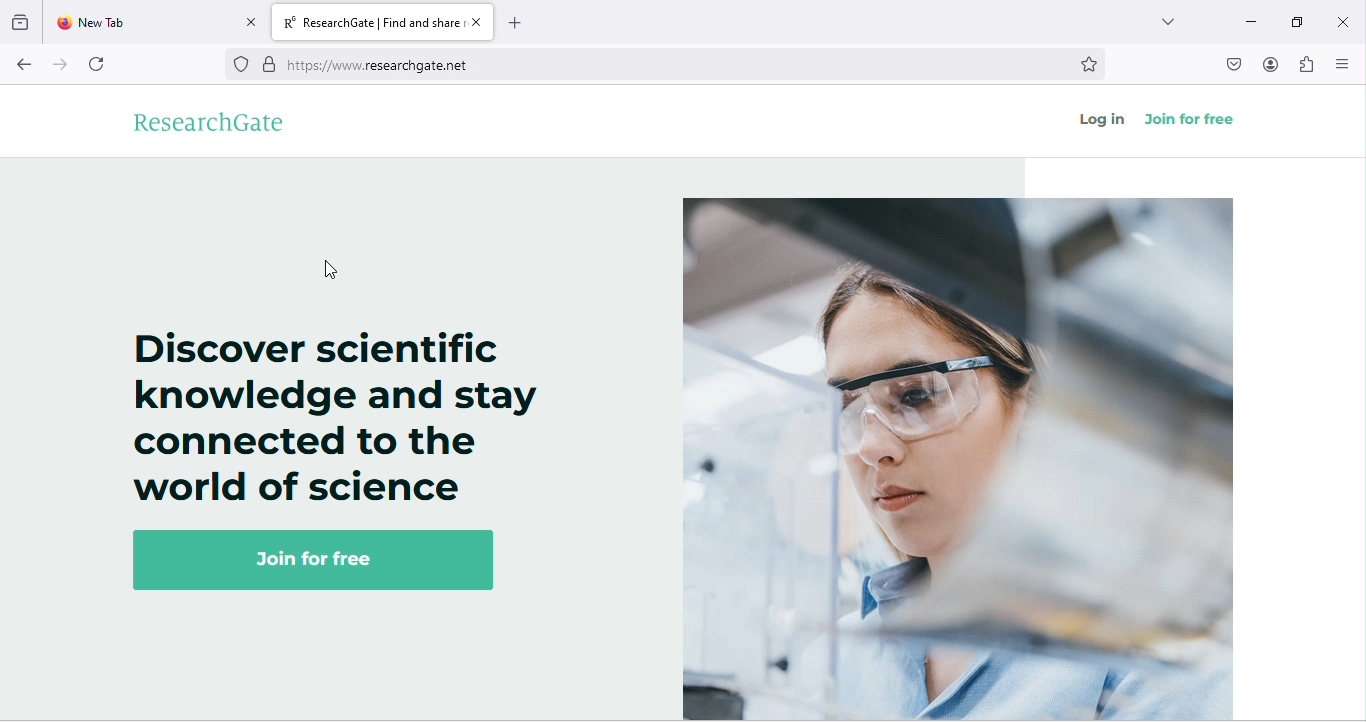 The image size is (1366, 722). What do you see at coordinates (1098, 120) in the screenshot?
I see `log in` at bounding box center [1098, 120].